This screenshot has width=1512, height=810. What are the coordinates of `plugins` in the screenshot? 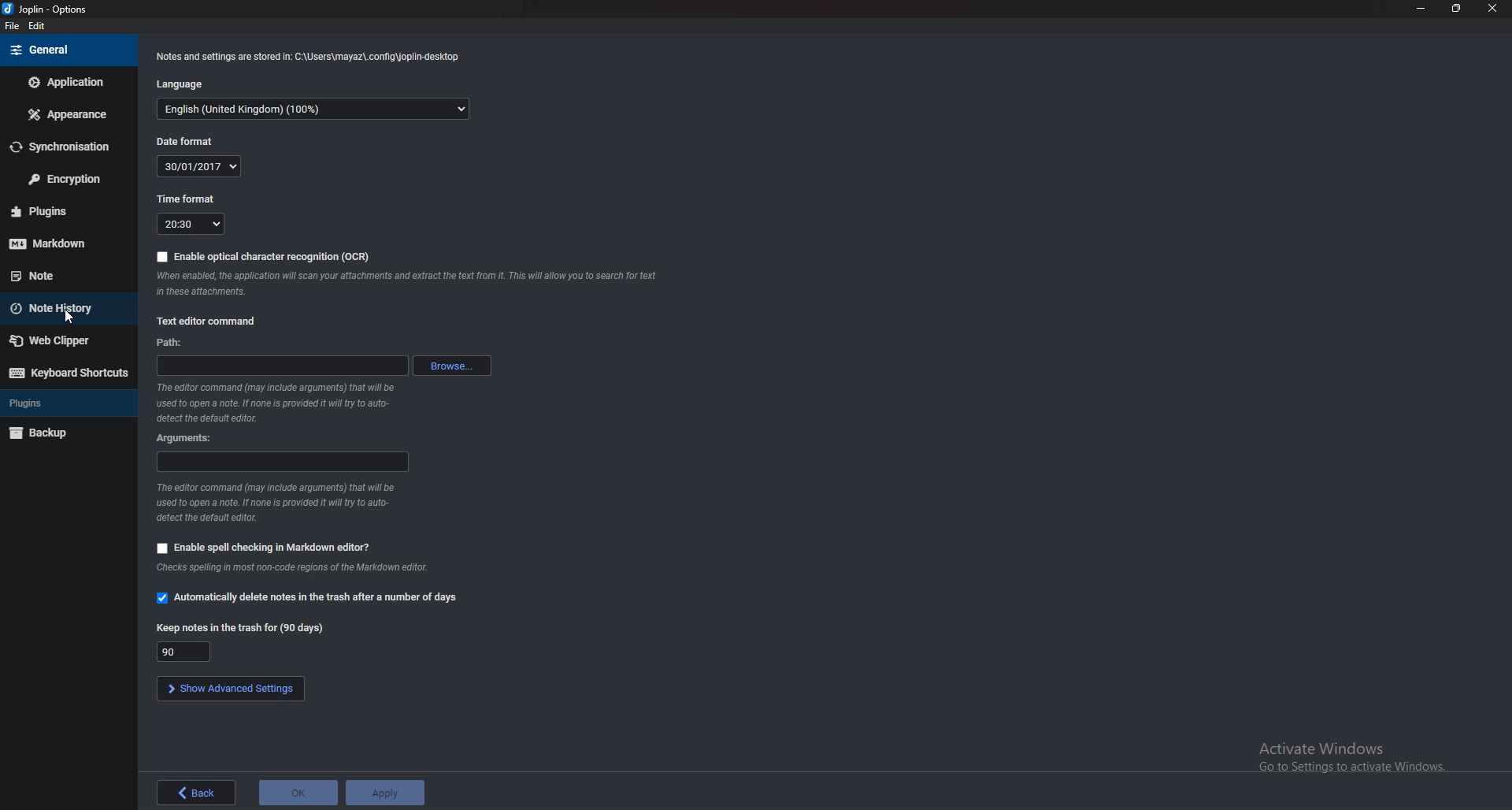 It's located at (54, 402).